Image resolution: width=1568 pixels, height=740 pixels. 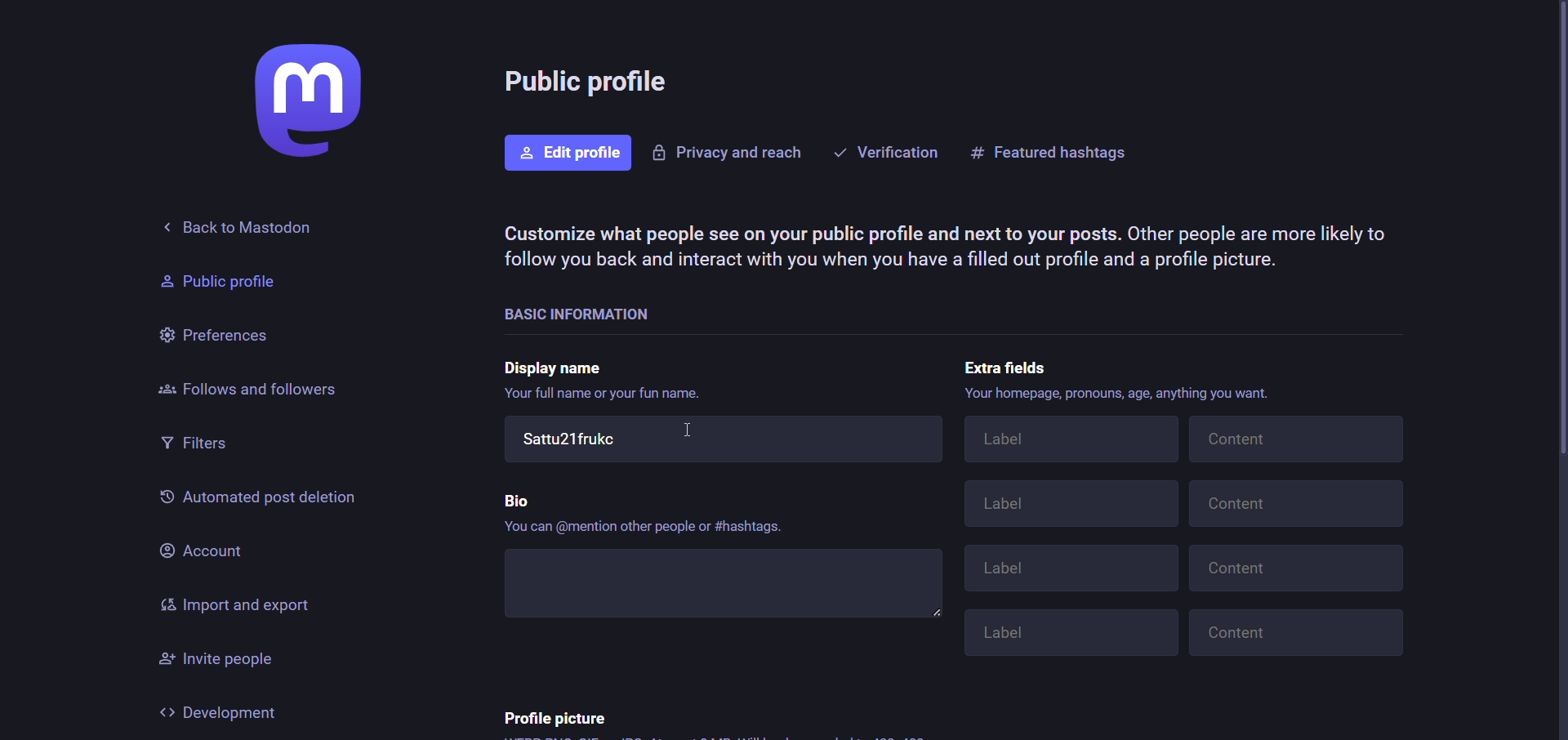 What do you see at coordinates (886, 150) in the screenshot?
I see `verification` at bounding box center [886, 150].